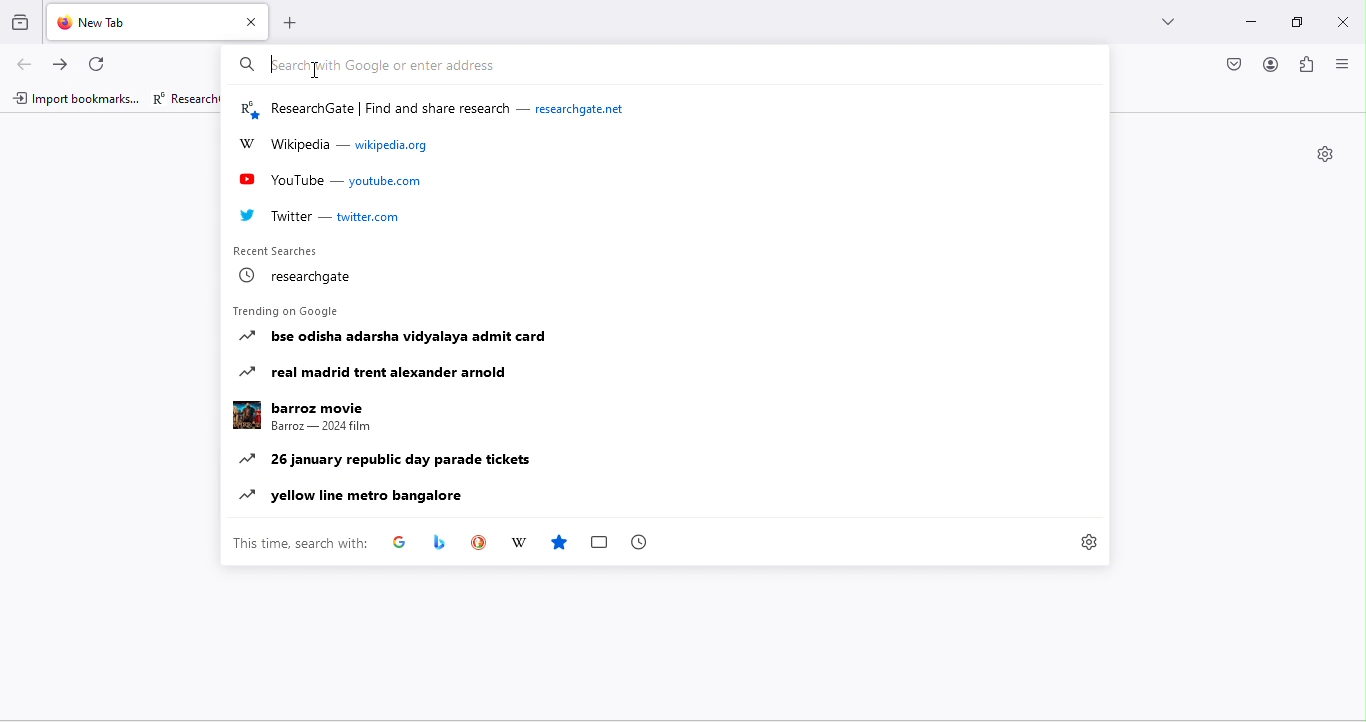 The height and width of the screenshot is (722, 1366). Describe the element at coordinates (96, 62) in the screenshot. I see `refresh` at that location.